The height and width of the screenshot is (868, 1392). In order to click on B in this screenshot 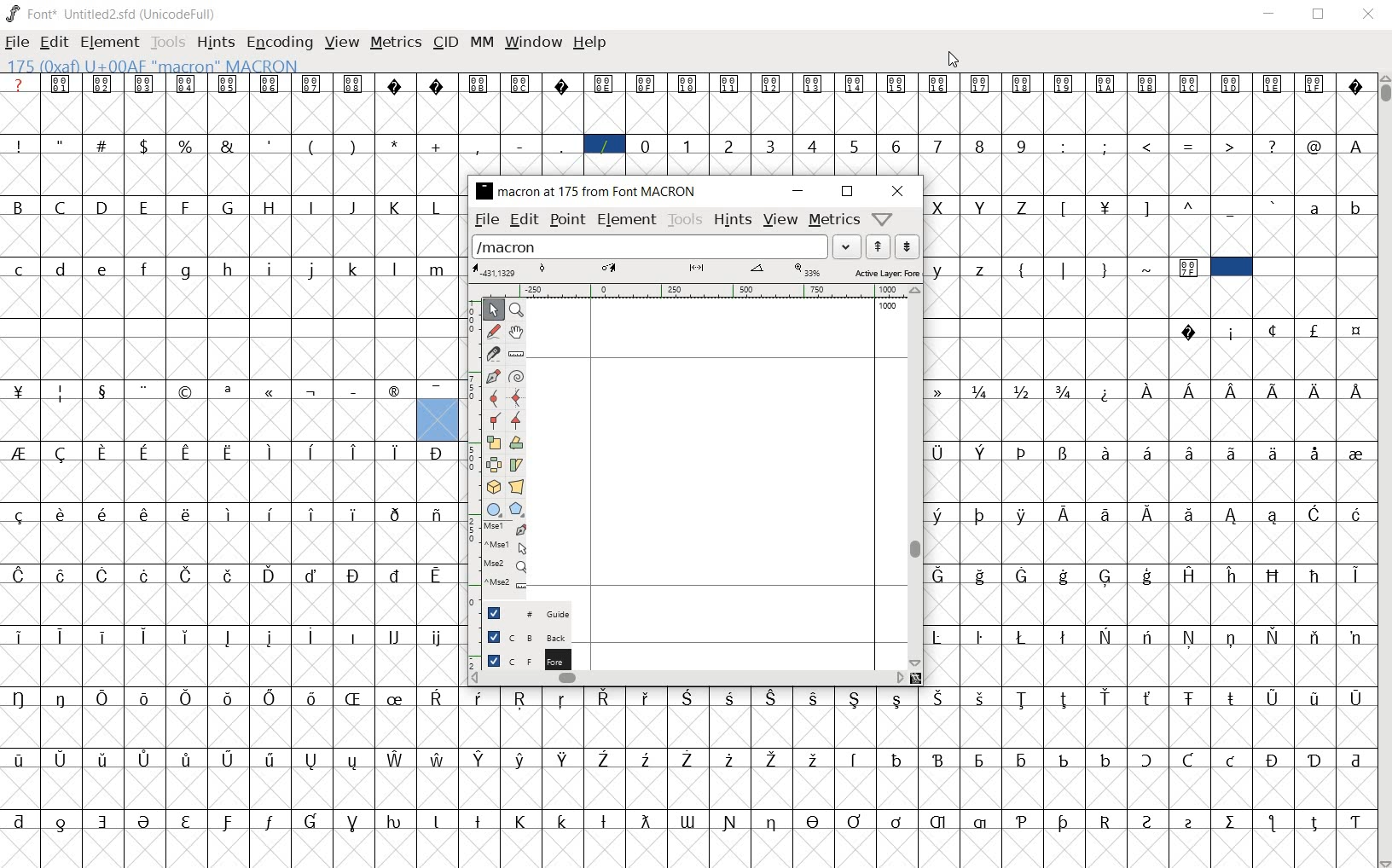, I will do `click(20, 205)`.